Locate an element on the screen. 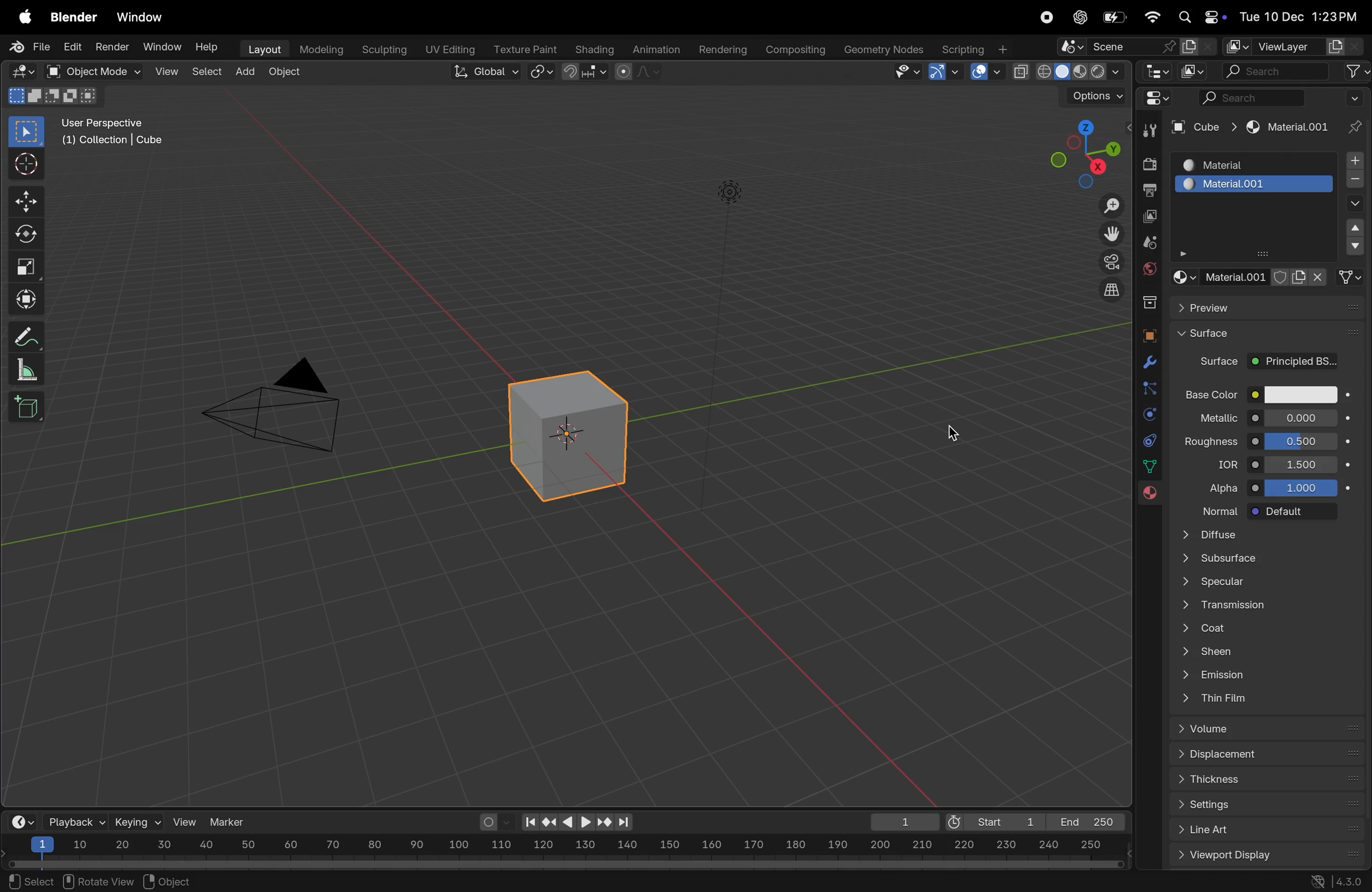 The height and width of the screenshot is (892, 1372). move is located at coordinates (25, 202).